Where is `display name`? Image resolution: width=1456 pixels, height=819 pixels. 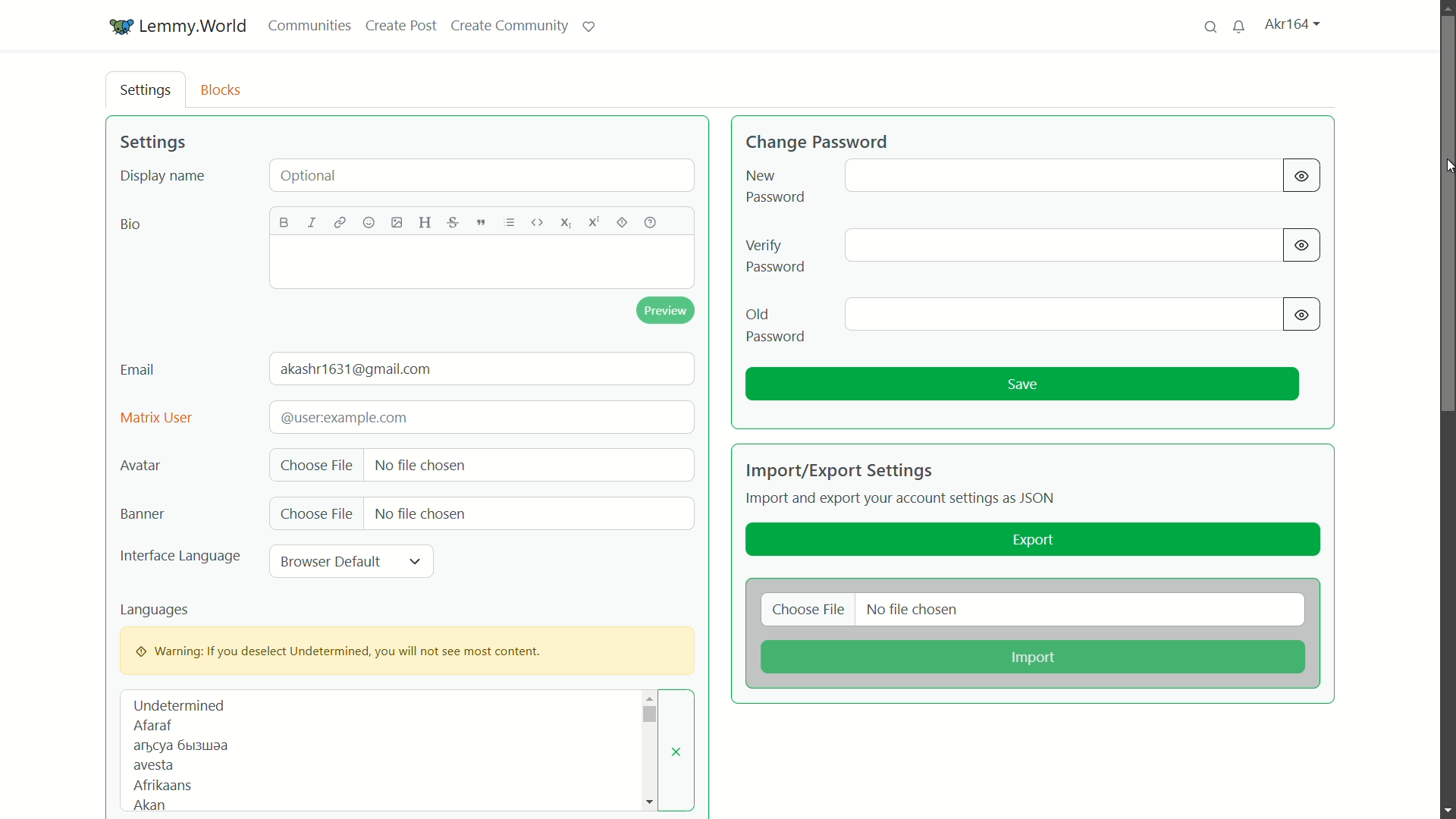 display name is located at coordinates (162, 177).